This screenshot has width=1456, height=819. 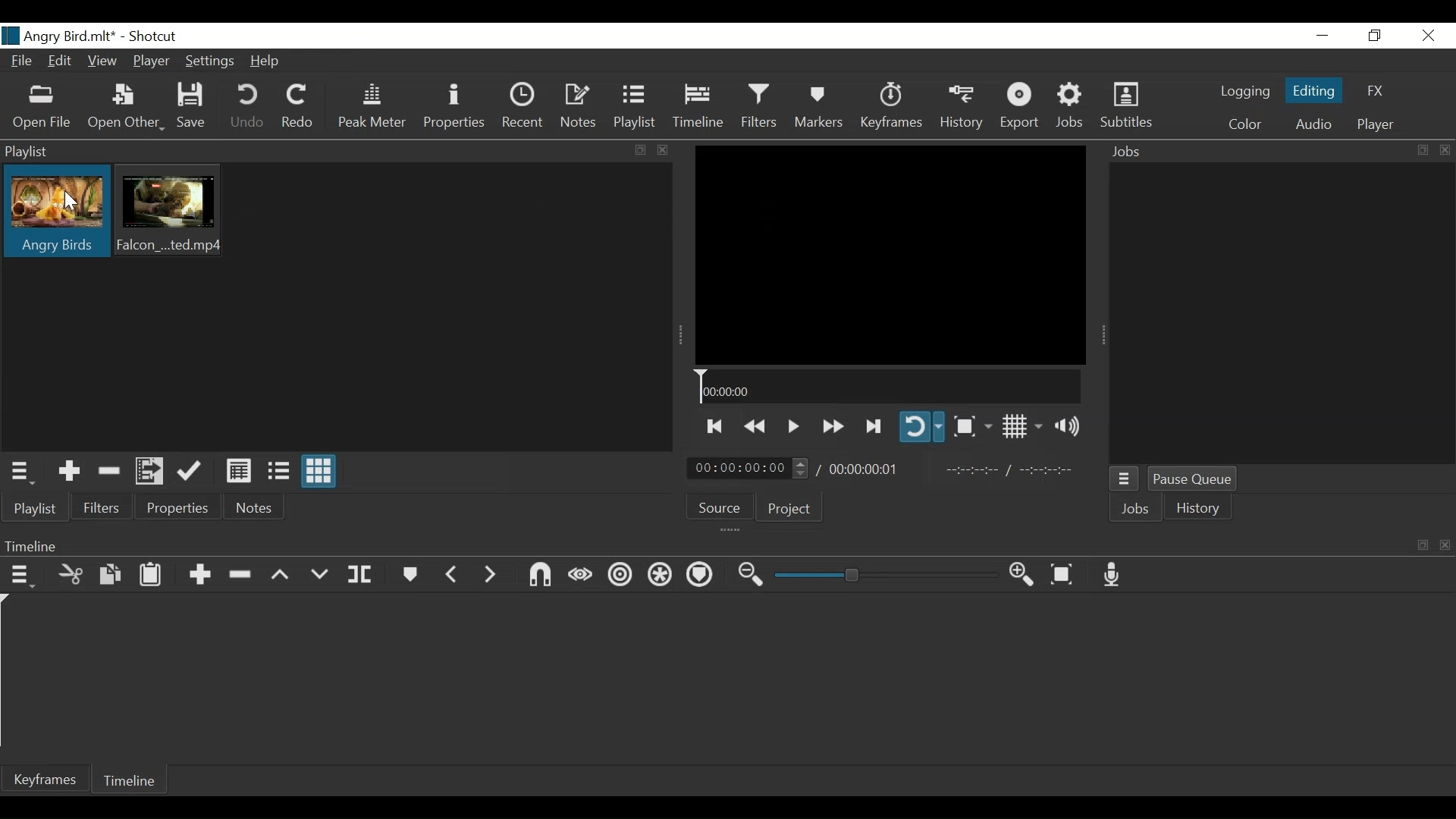 I want to click on Remove cut, so click(x=110, y=471).